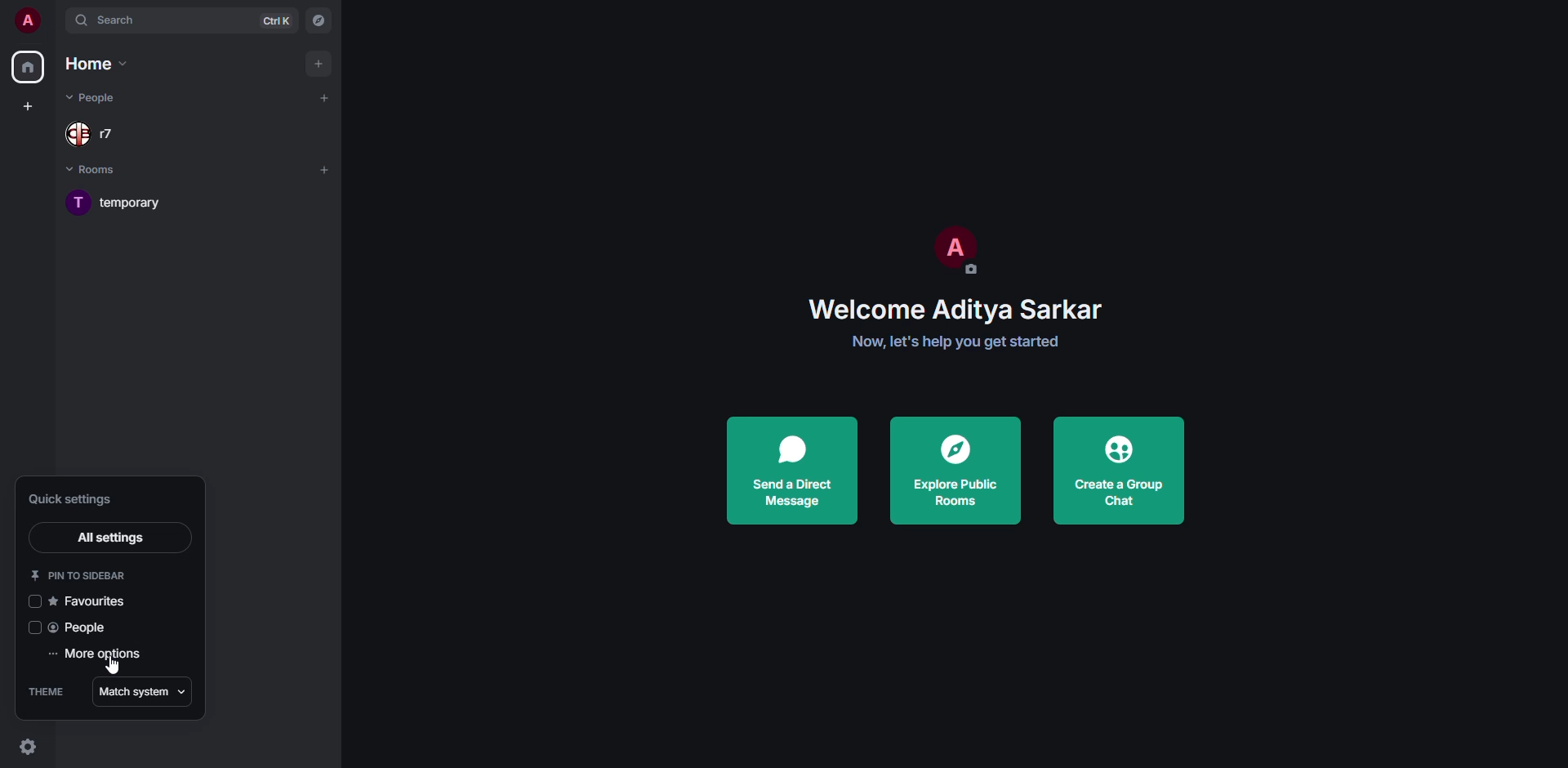  What do you see at coordinates (33, 627) in the screenshot?
I see `click to enable` at bounding box center [33, 627].